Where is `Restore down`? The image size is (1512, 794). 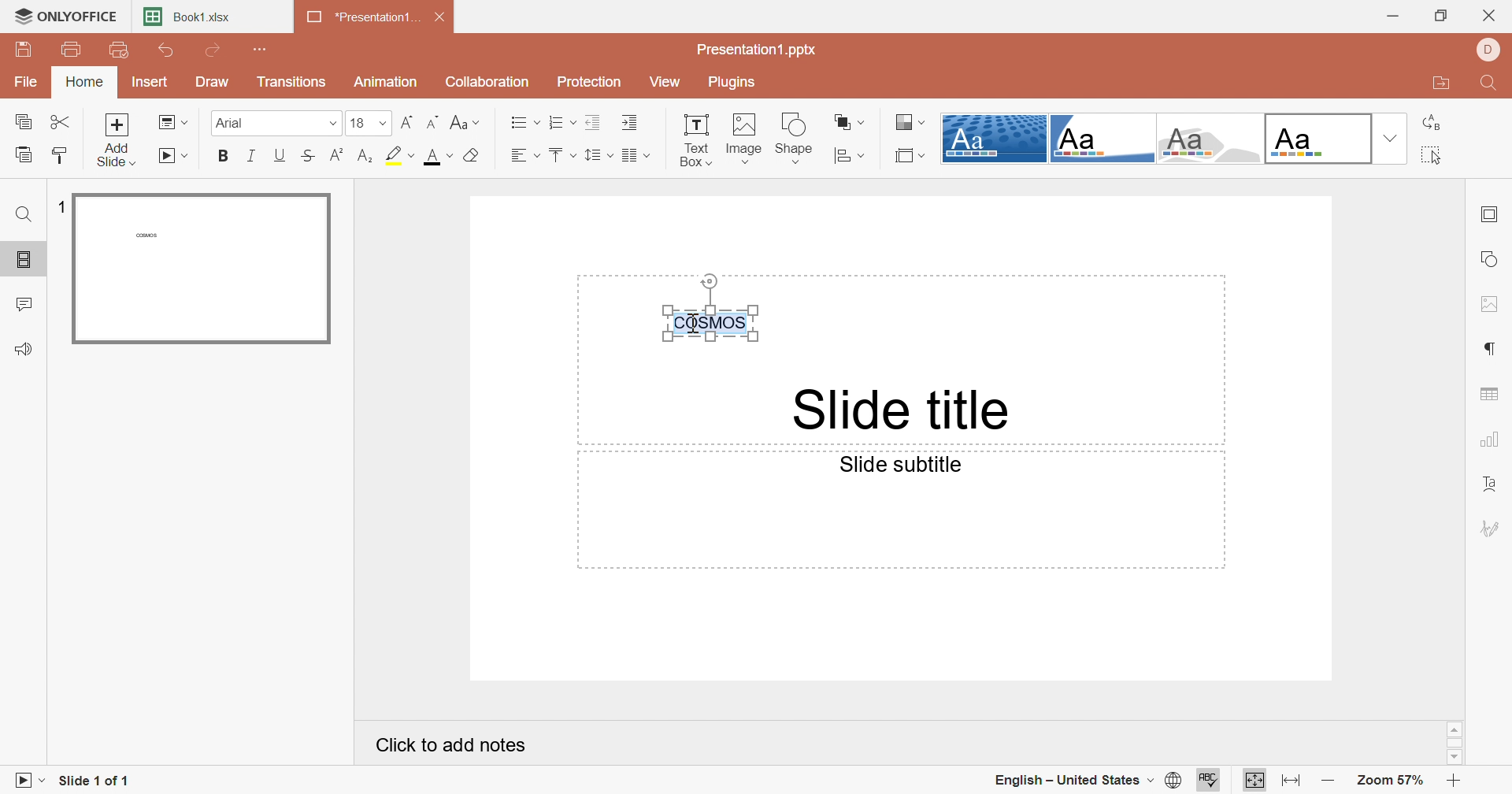 Restore down is located at coordinates (1446, 15).